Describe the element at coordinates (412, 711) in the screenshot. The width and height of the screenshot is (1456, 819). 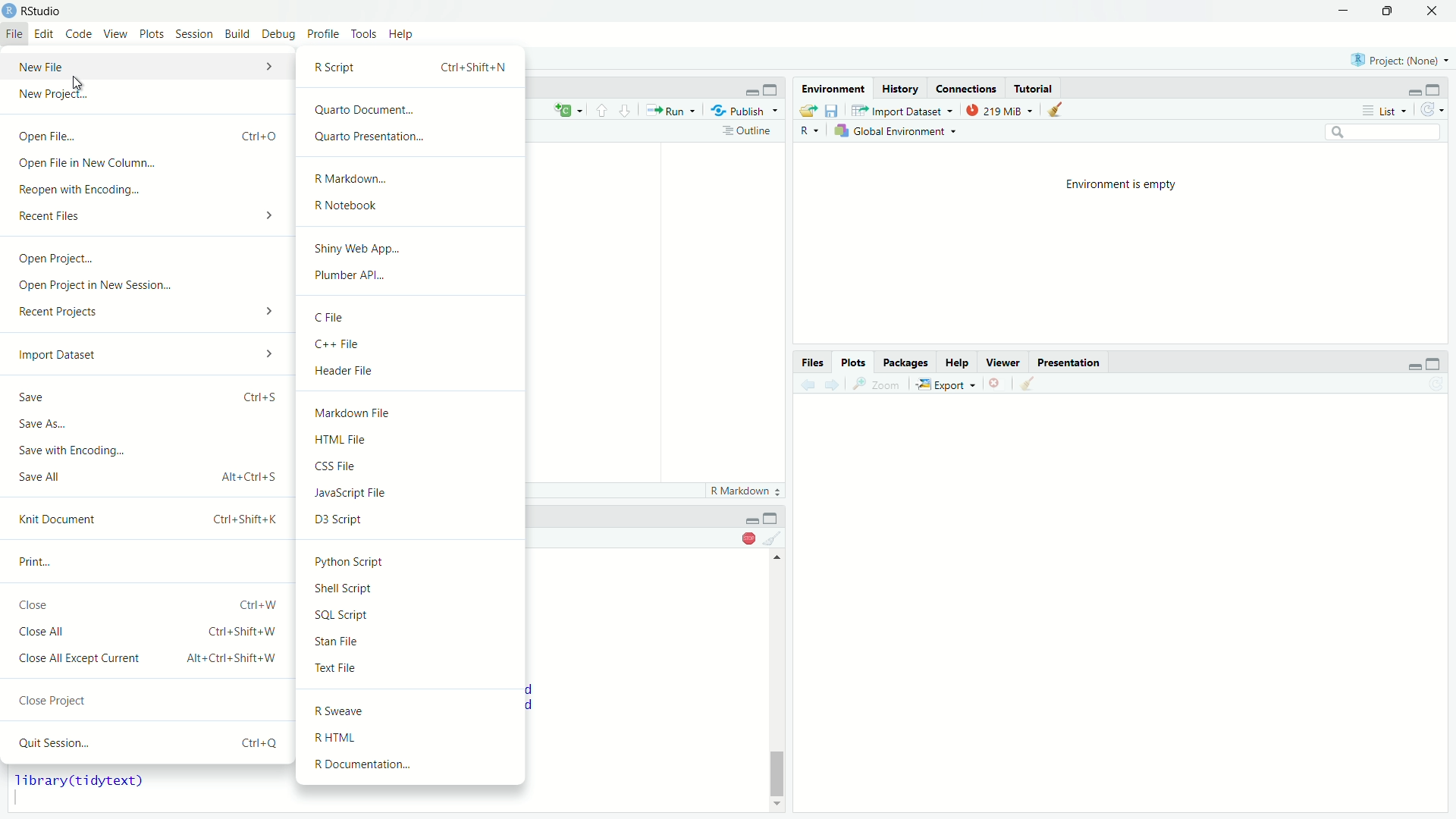
I see `R Sweave` at that location.